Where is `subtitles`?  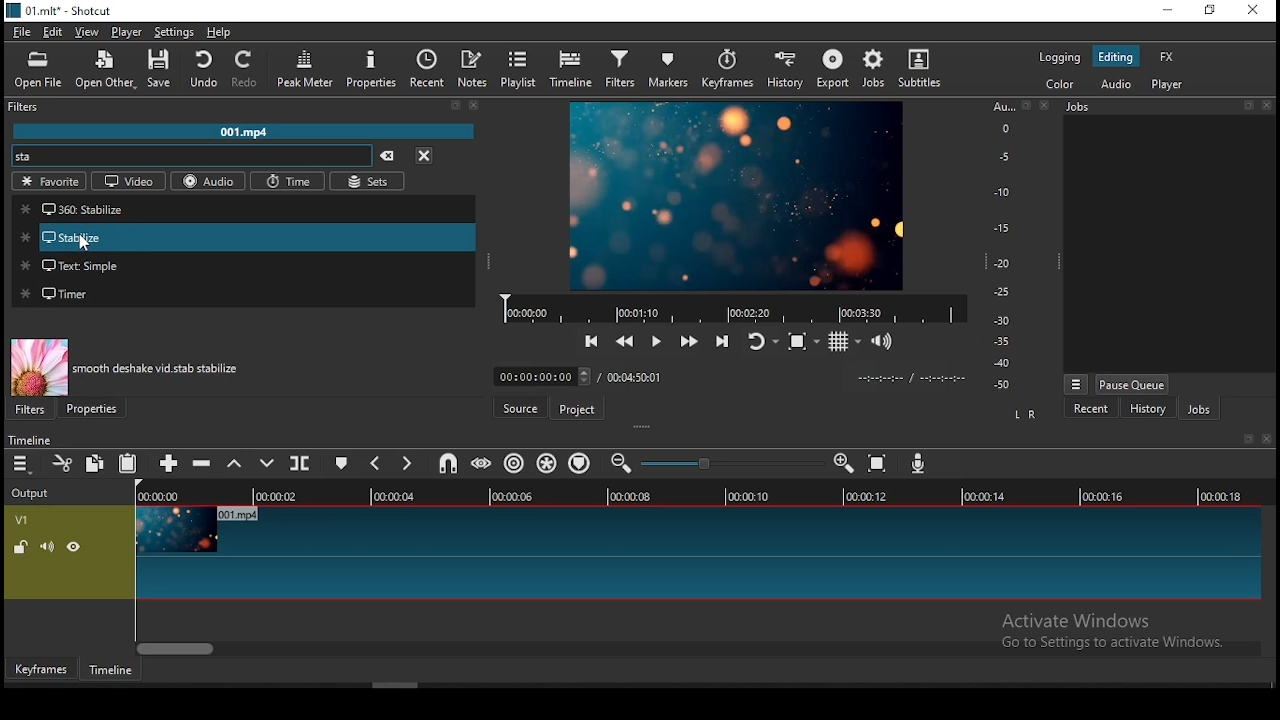
subtitles is located at coordinates (923, 67).